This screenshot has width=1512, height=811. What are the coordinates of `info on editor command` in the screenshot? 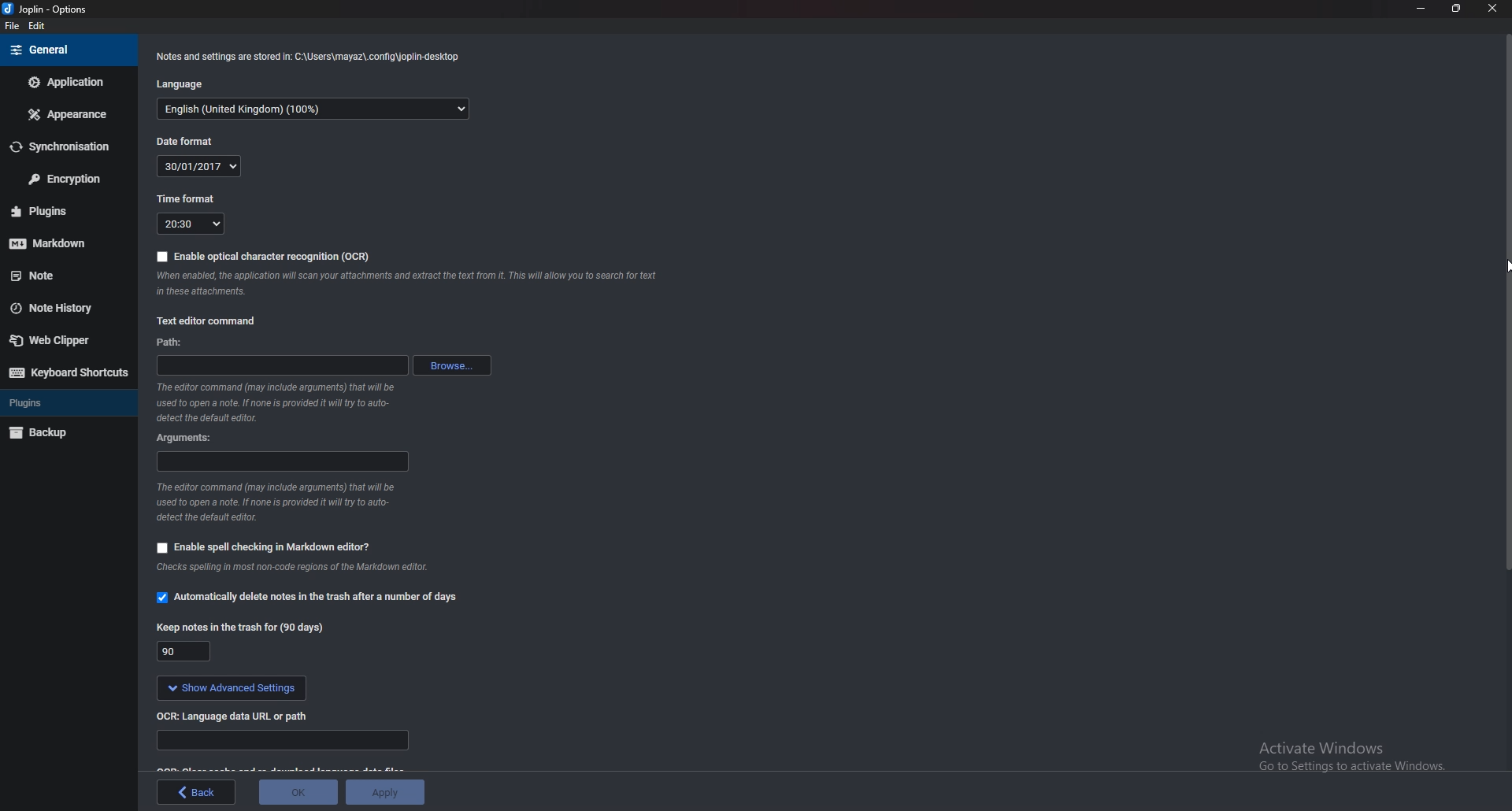 It's located at (275, 404).